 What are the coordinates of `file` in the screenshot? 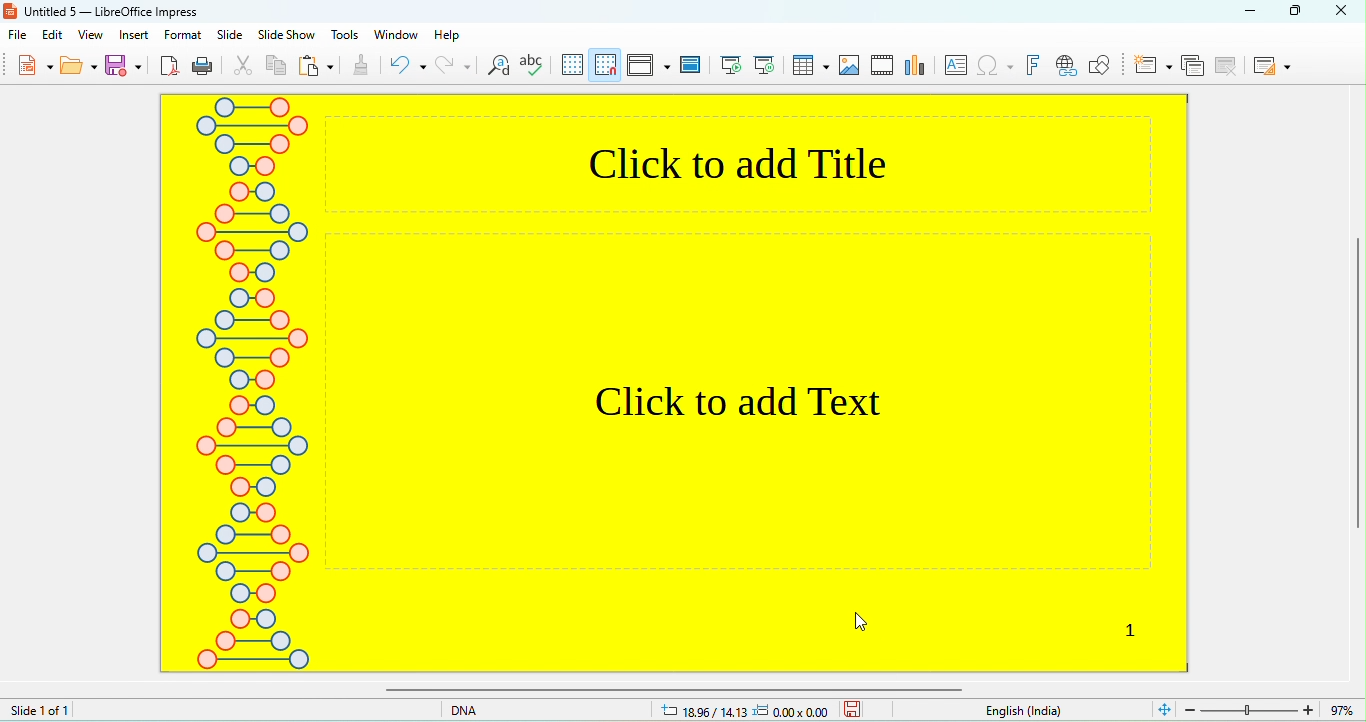 It's located at (22, 37).